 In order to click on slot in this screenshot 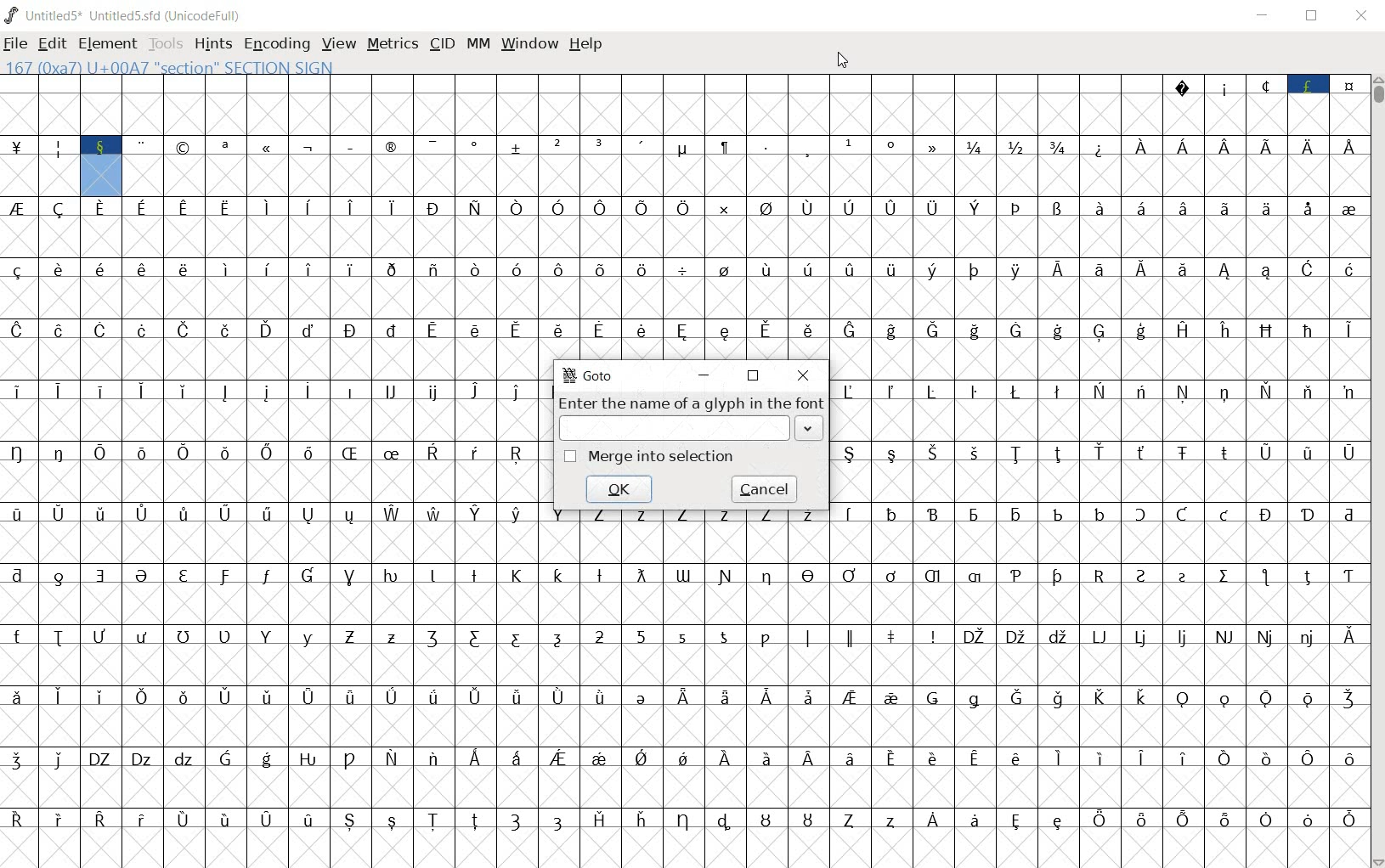, I will do `click(578, 104)`.